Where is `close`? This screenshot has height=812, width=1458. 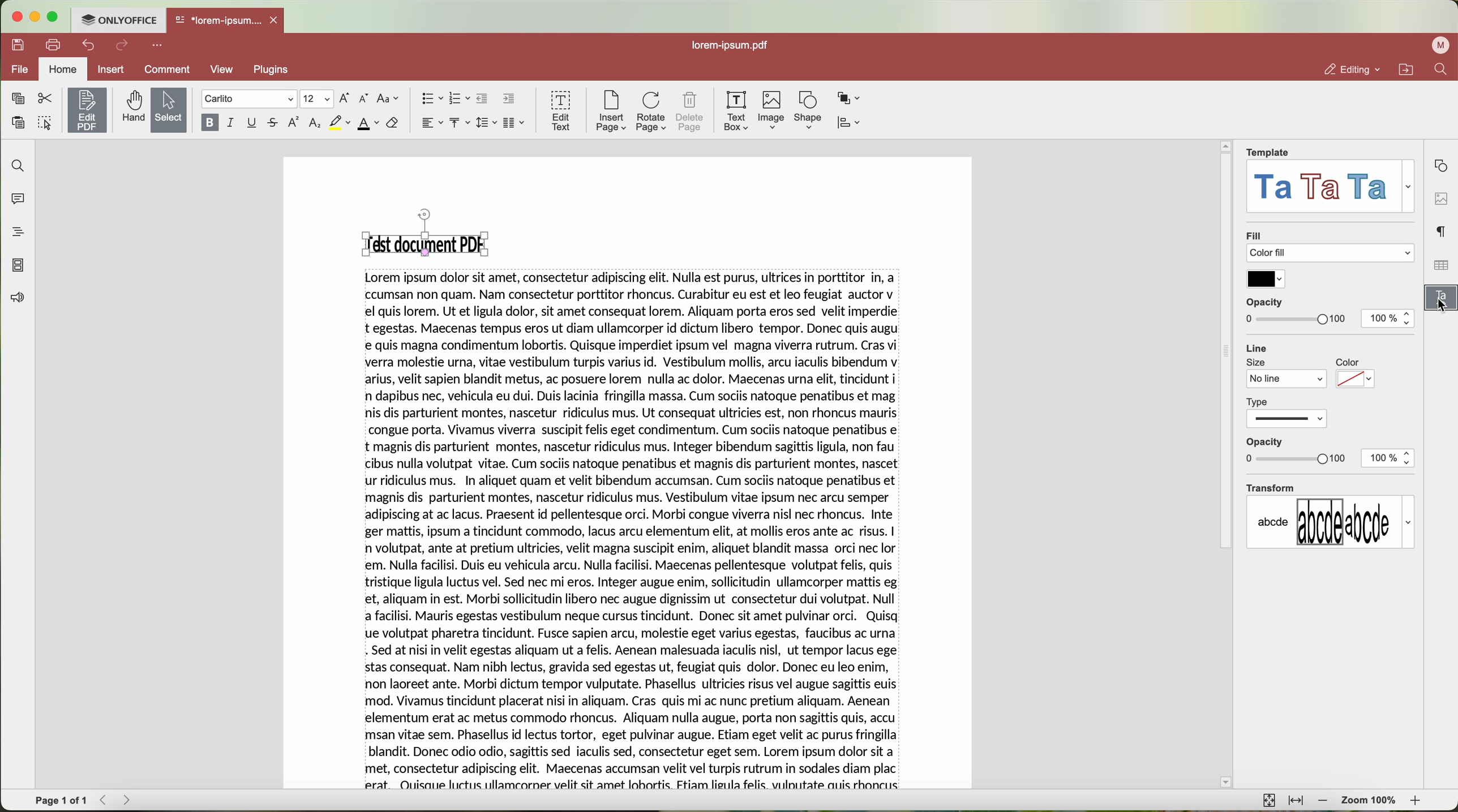
close is located at coordinates (278, 19).